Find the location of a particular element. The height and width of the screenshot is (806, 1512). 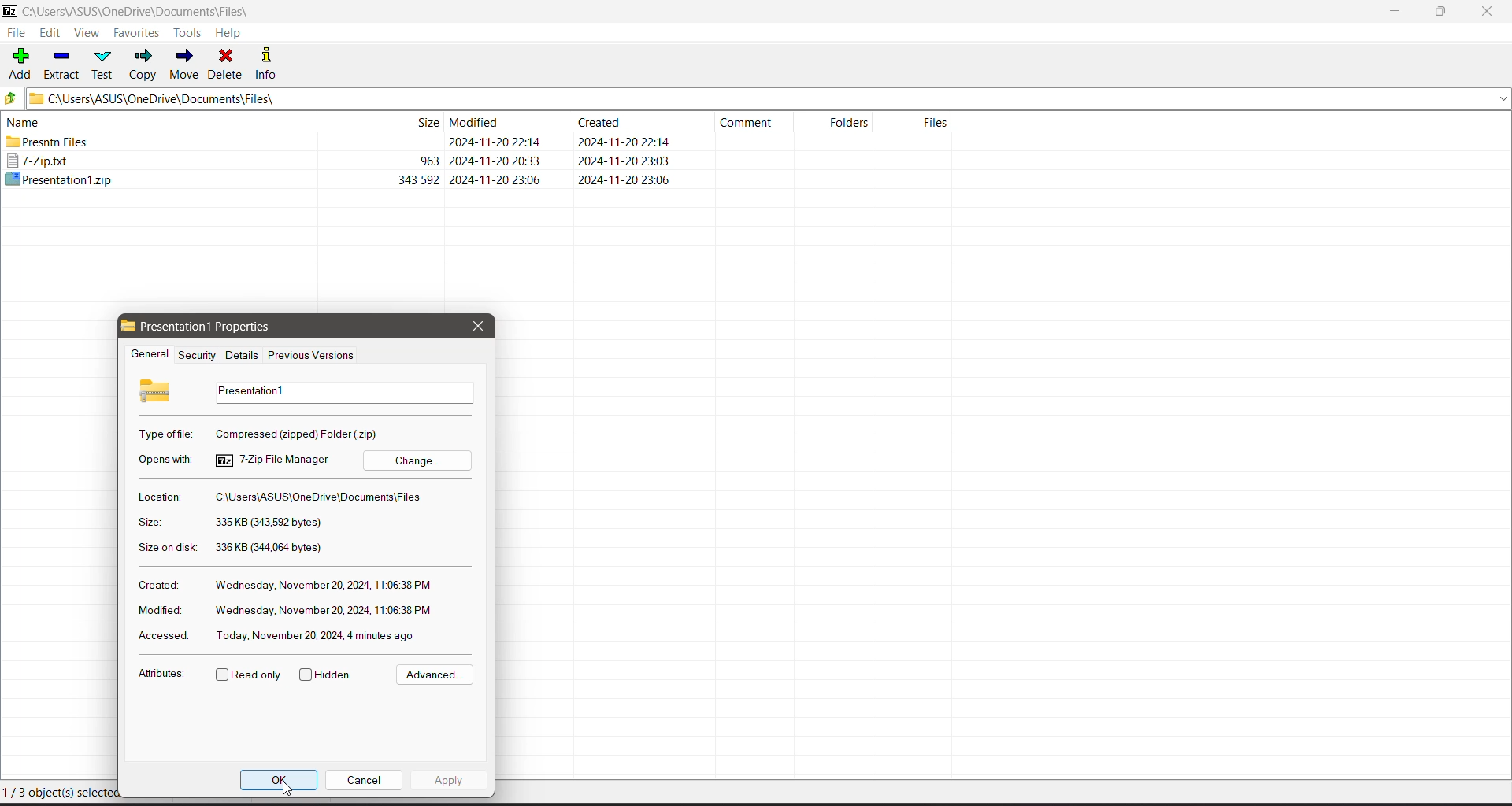

Cursor on presentation file is located at coordinates (342, 179).